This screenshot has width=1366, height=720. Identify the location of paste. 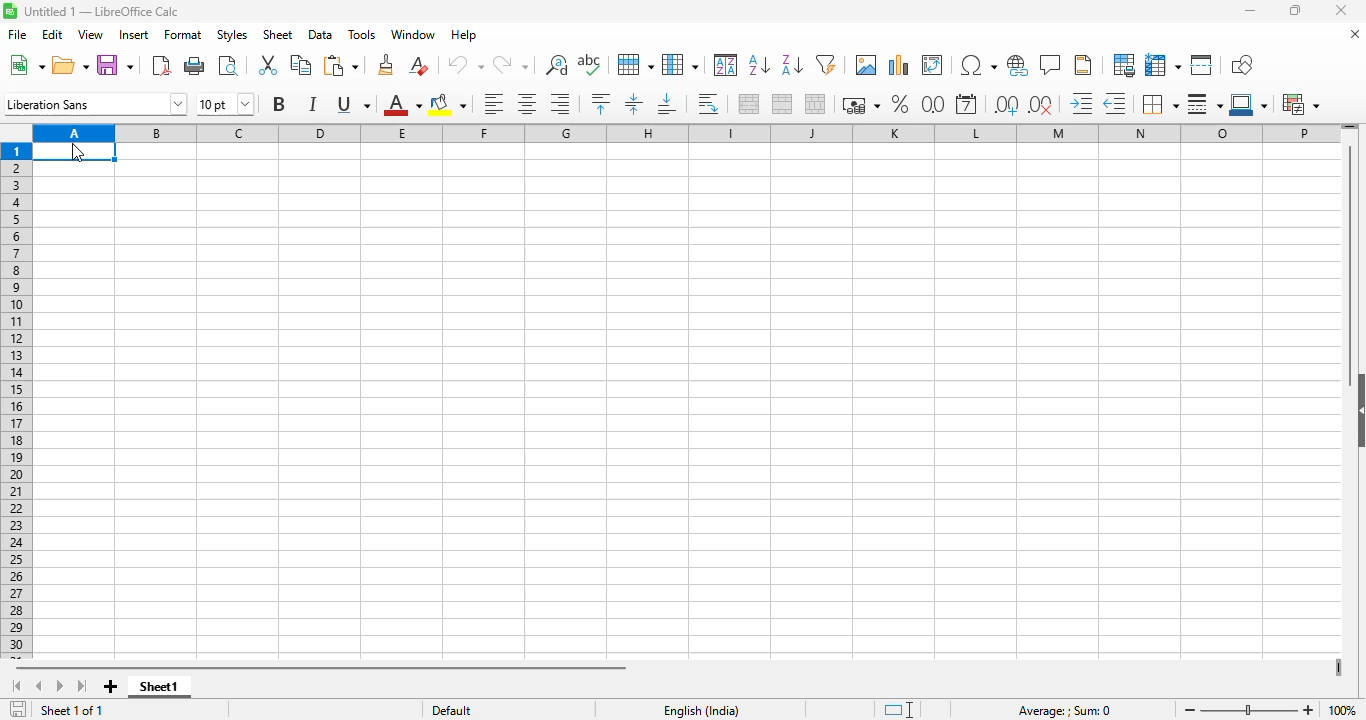
(340, 66).